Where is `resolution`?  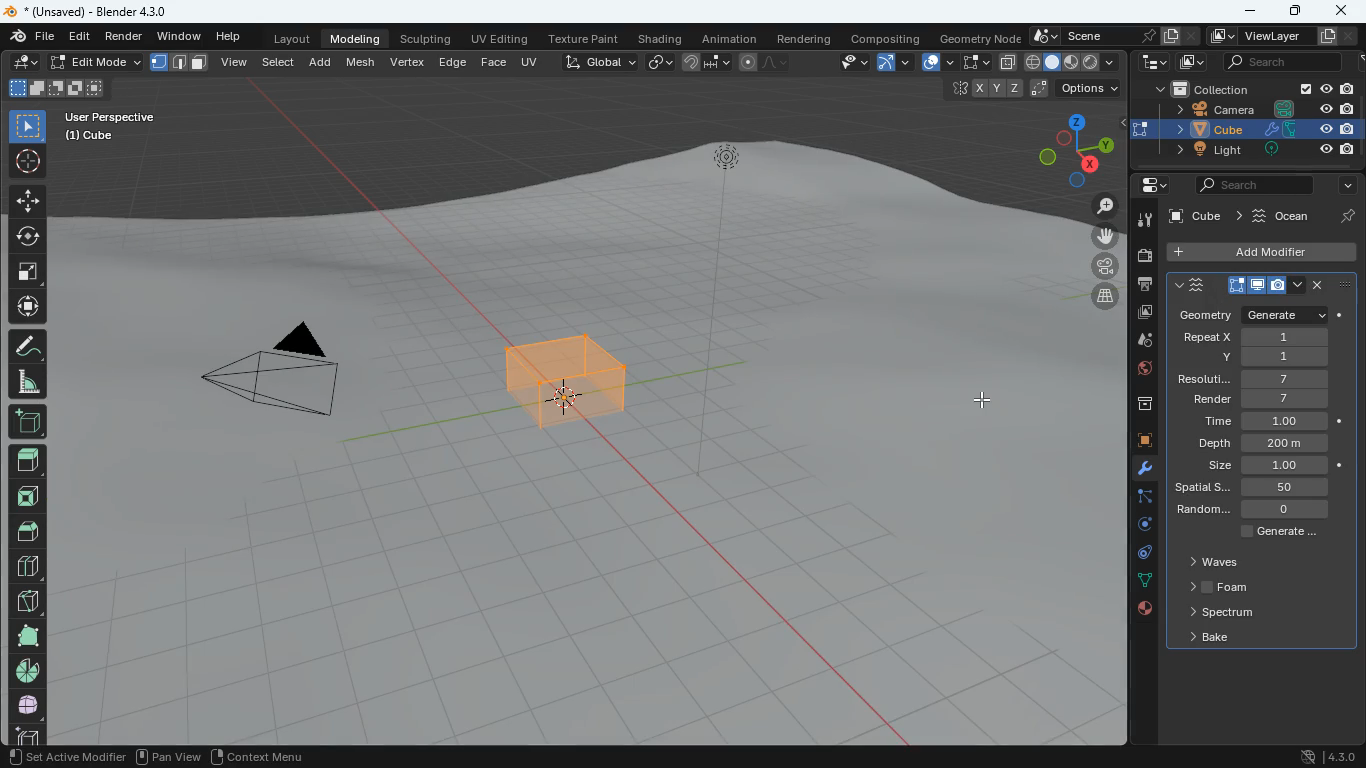
resolution is located at coordinates (1254, 379).